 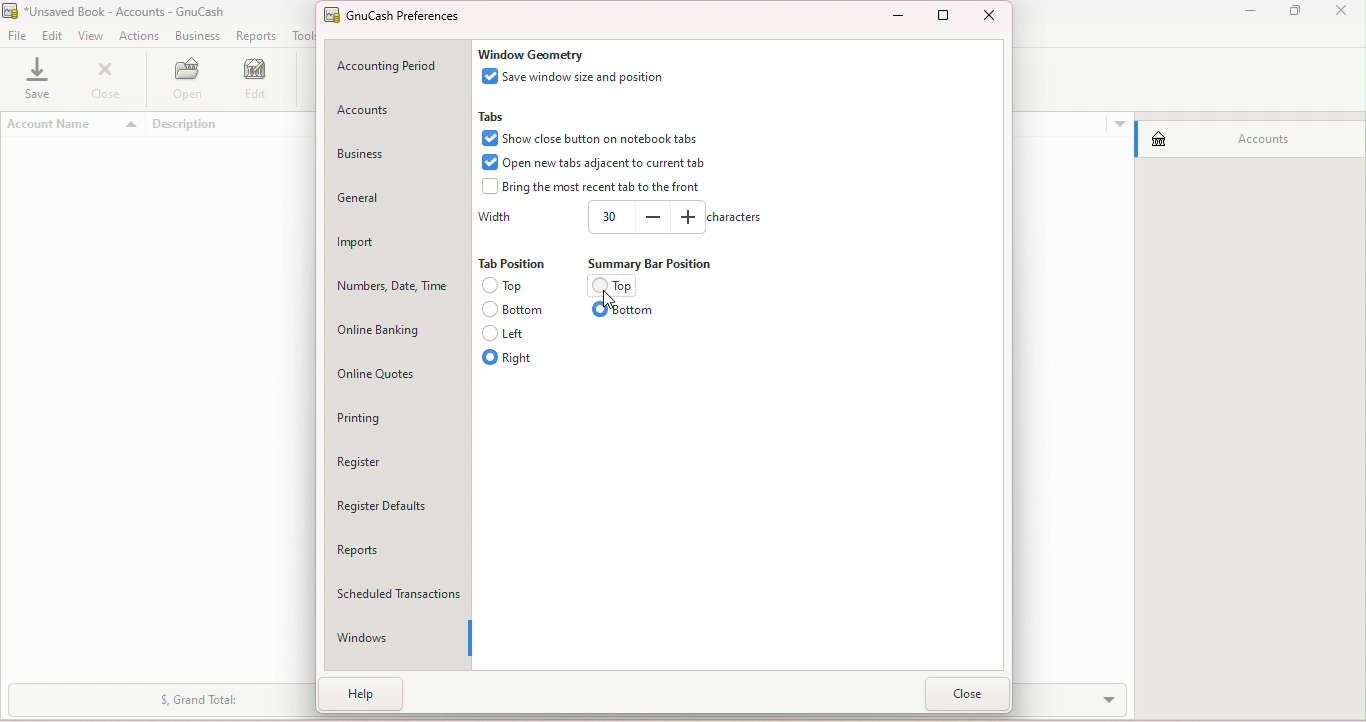 What do you see at coordinates (404, 17) in the screenshot?
I see `GnuCash preferences` at bounding box center [404, 17].